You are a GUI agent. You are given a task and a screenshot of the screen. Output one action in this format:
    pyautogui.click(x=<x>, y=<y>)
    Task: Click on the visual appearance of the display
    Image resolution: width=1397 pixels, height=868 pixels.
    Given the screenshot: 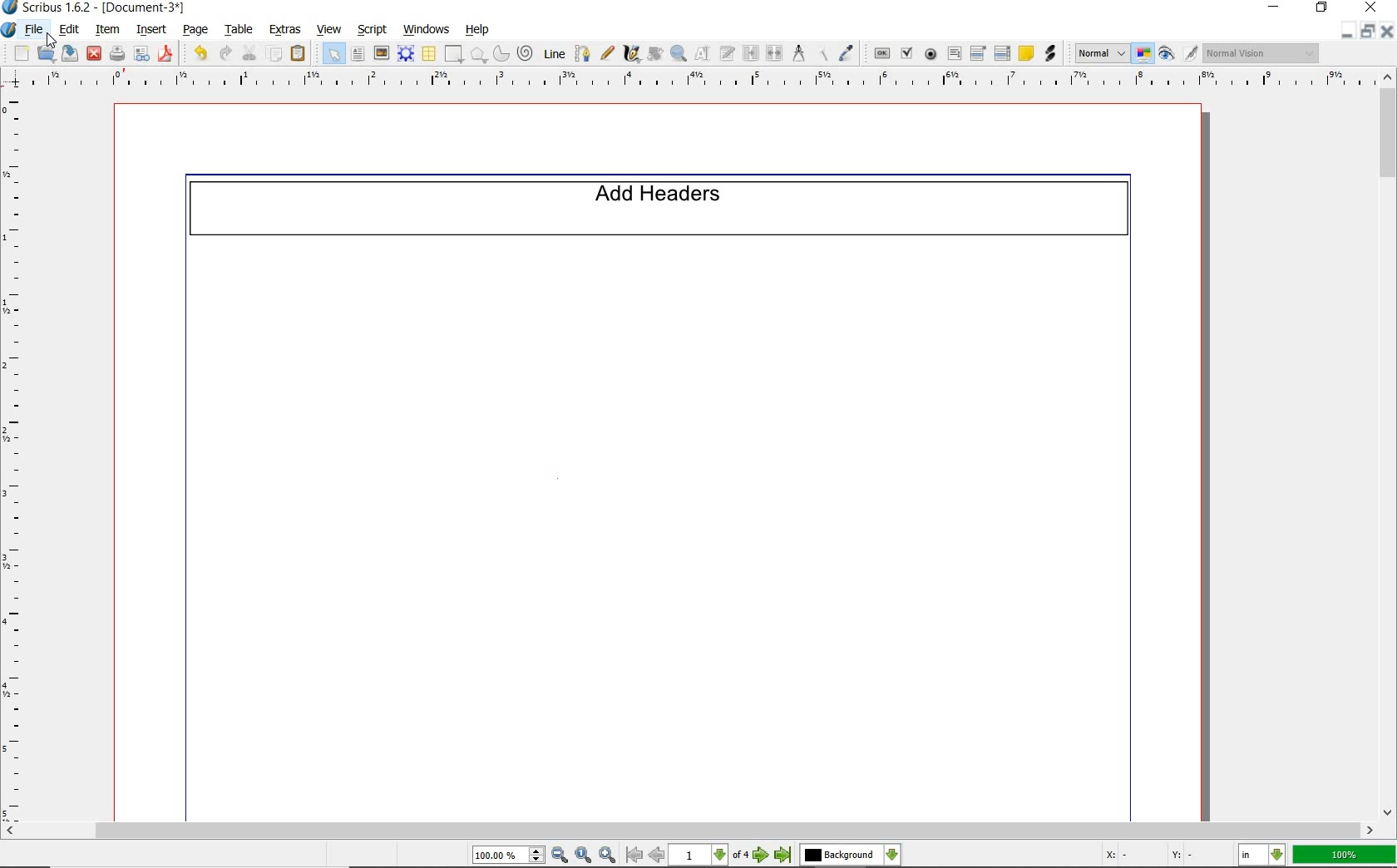 What is the action you would take?
    pyautogui.click(x=1262, y=54)
    